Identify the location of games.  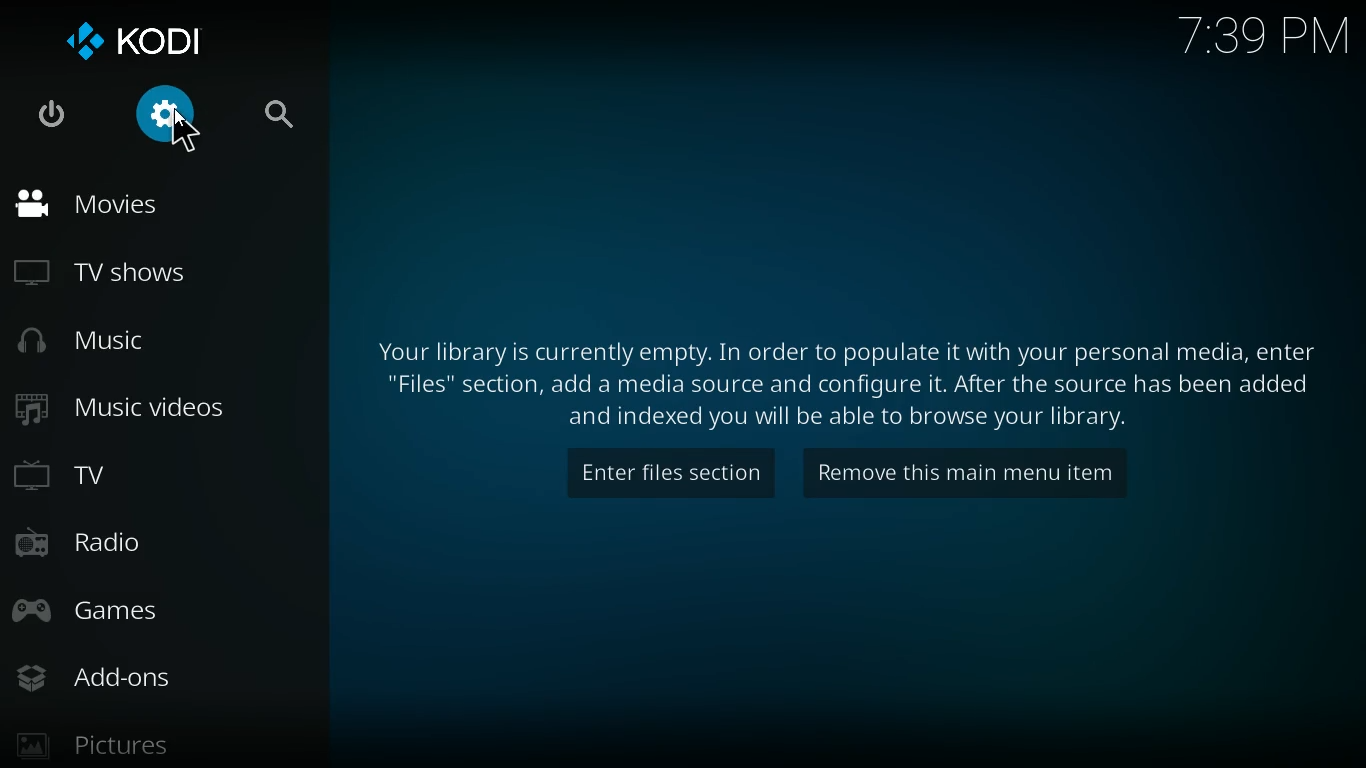
(108, 604).